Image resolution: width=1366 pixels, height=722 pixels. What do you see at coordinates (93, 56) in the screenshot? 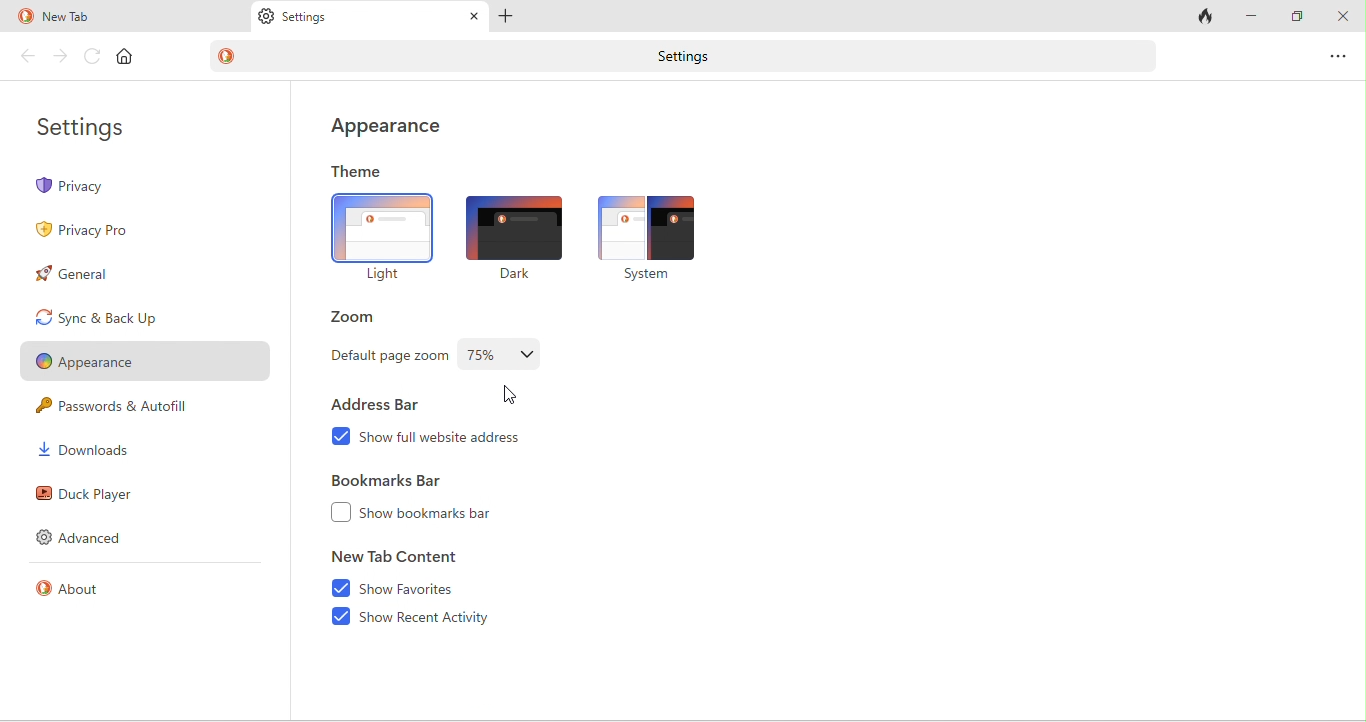
I see `reload page` at bounding box center [93, 56].